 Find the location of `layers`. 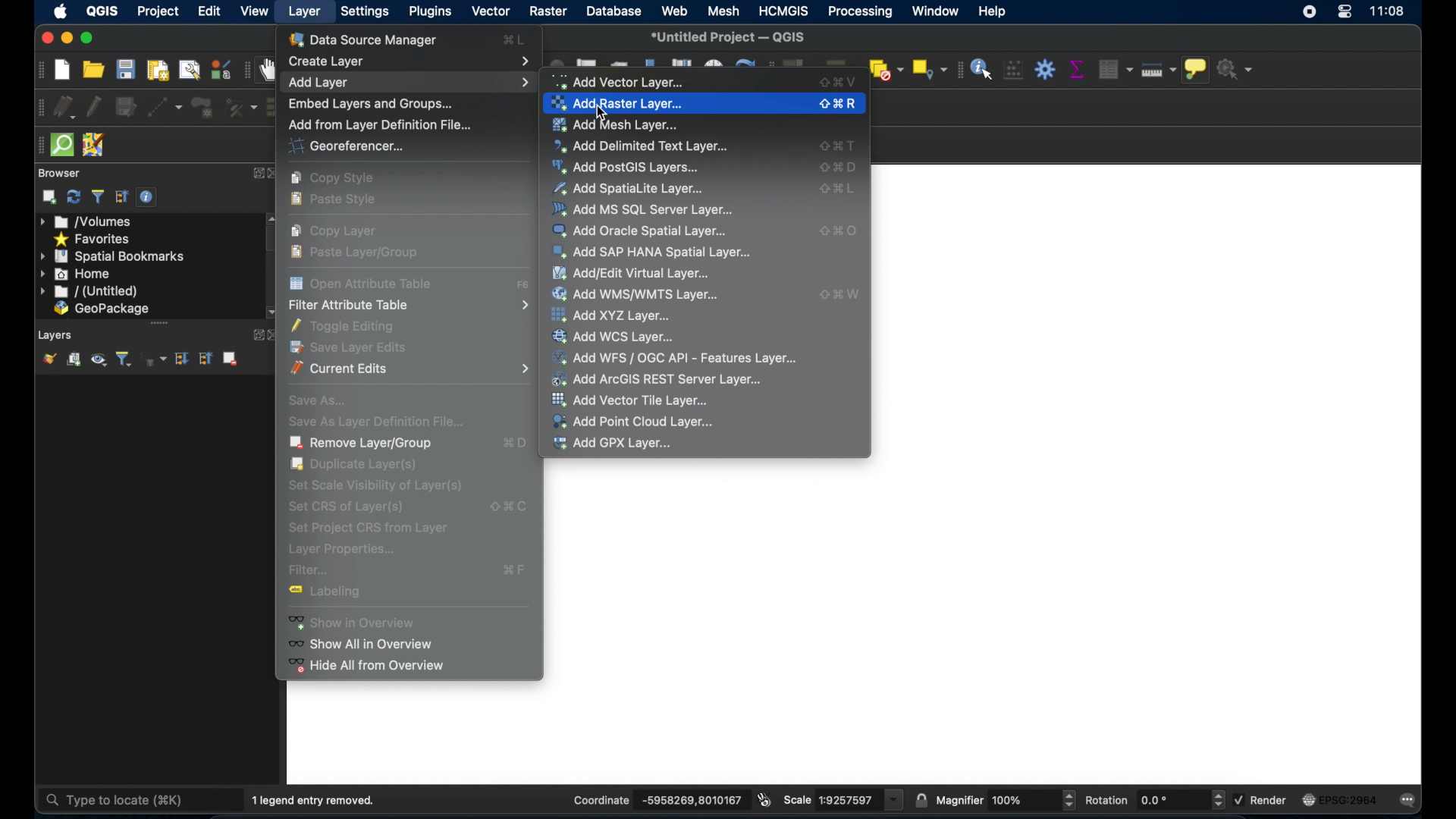

layers is located at coordinates (56, 334).